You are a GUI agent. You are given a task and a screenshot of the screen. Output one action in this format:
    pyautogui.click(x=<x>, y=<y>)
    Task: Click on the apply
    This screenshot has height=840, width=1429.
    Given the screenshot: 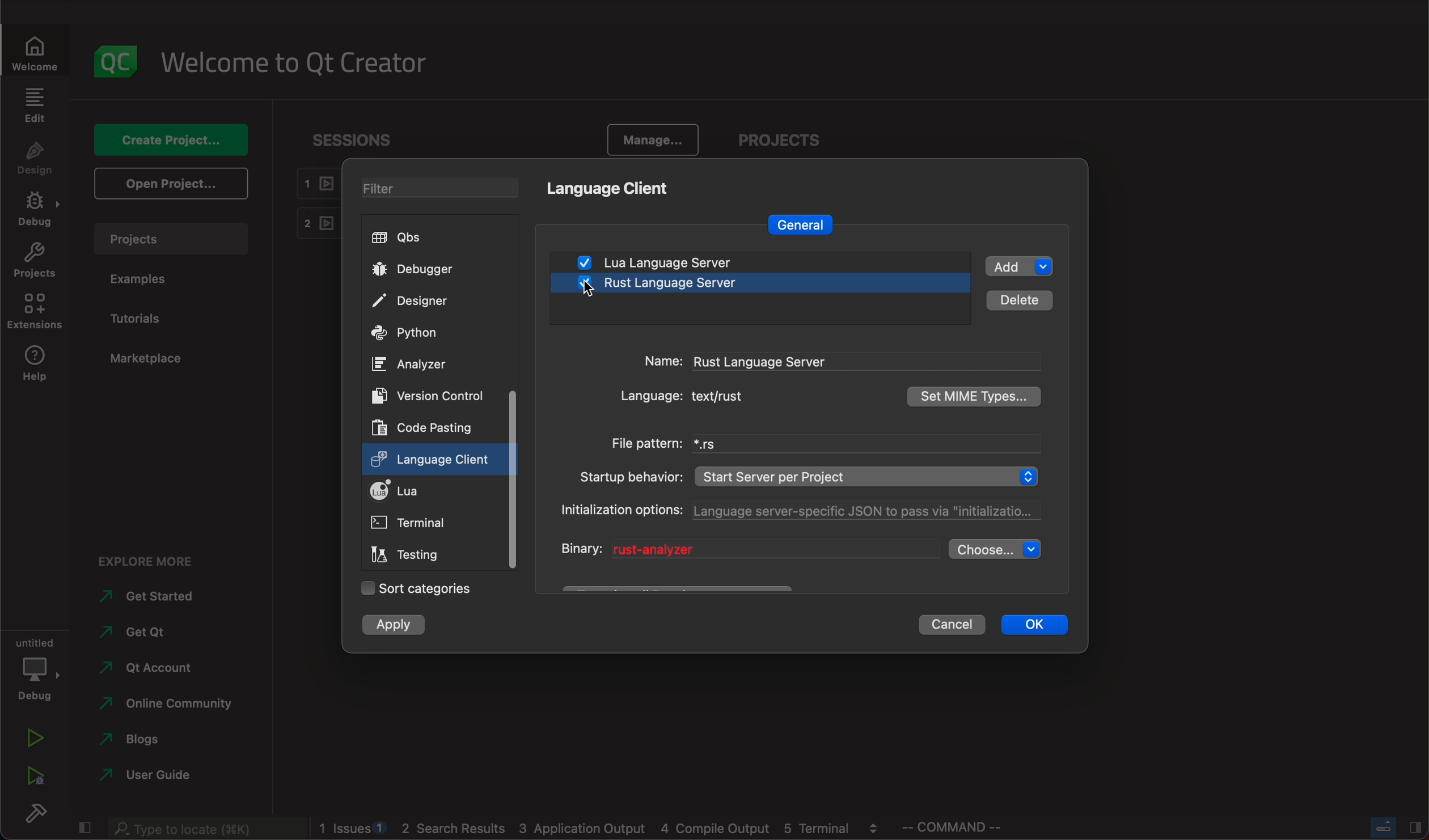 What is the action you would take?
    pyautogui.click(x=400, y=624)
    